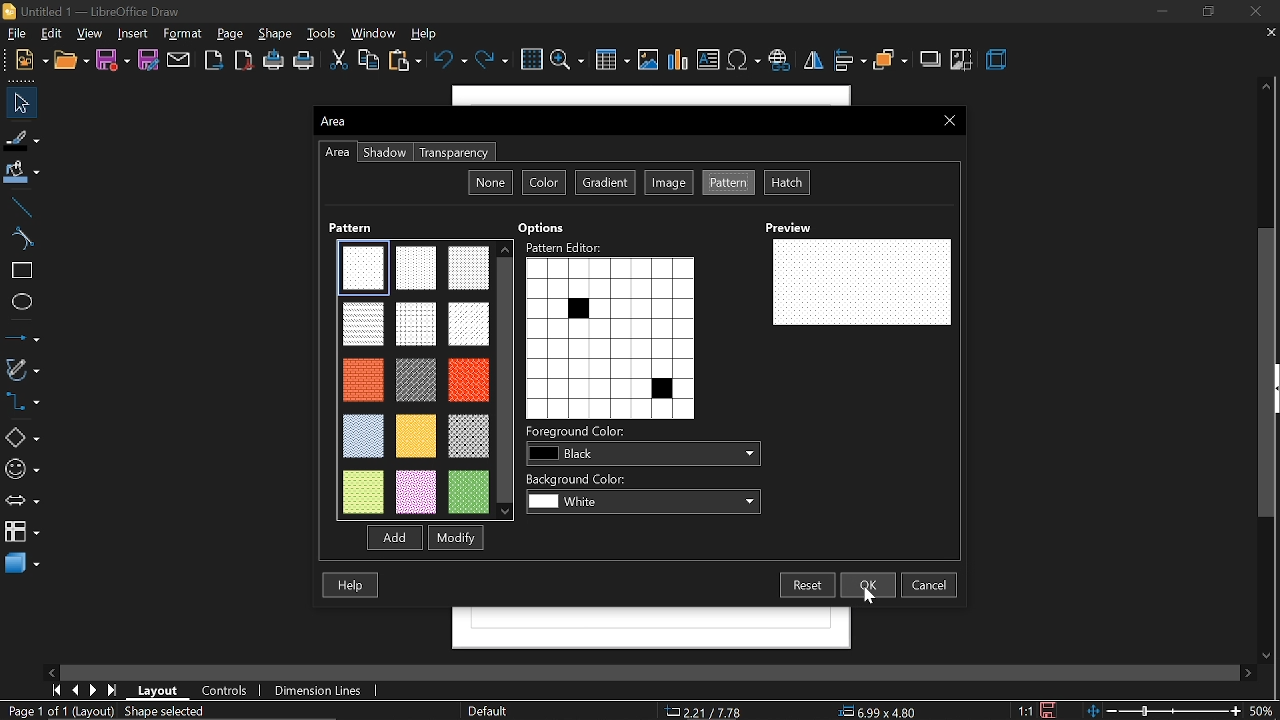  I want to click on background color, so click(644, 500).